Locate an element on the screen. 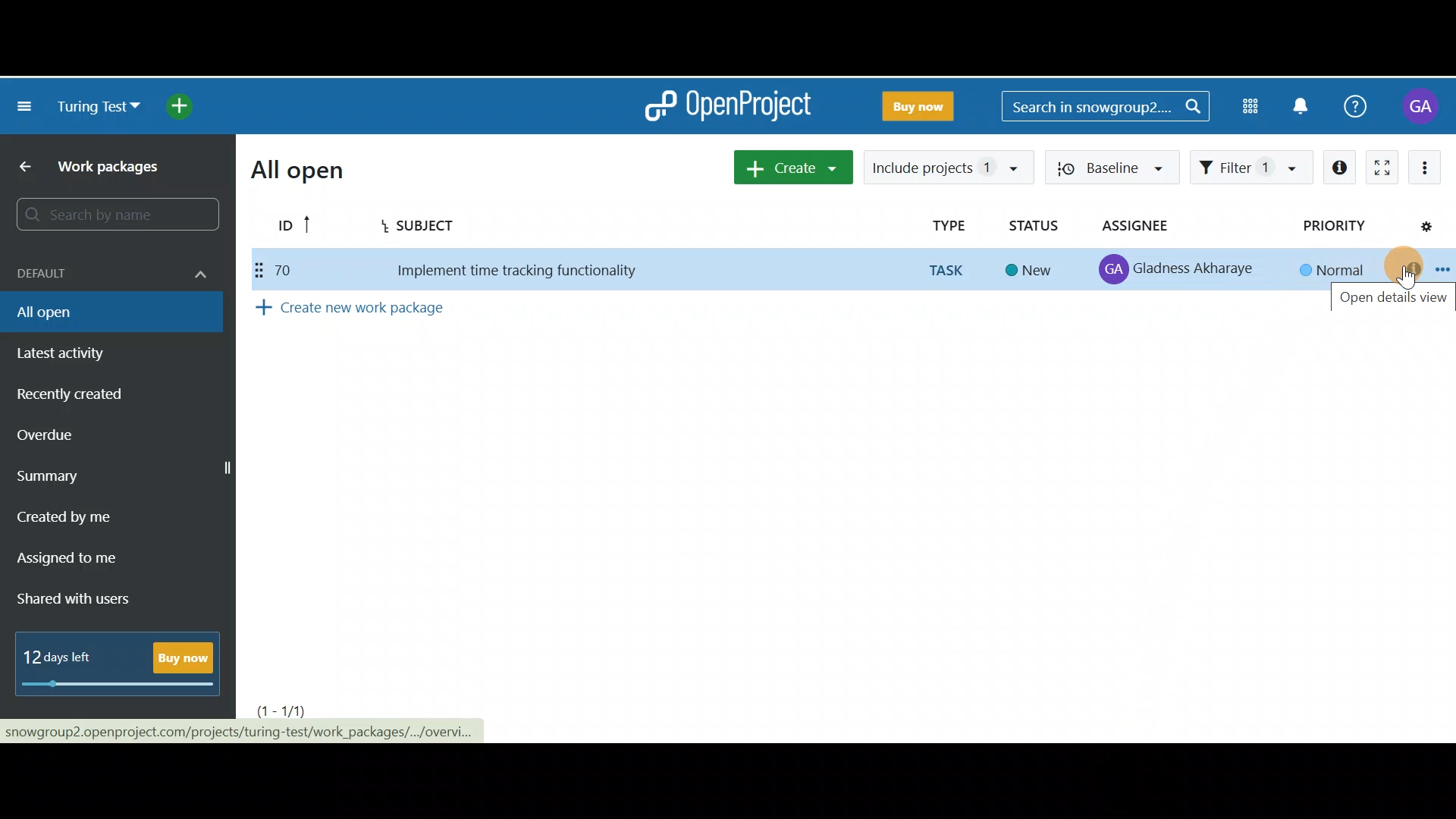 The width and height of the screenshot is (1456, 819). Filter is located at coordinates (1250, 170).